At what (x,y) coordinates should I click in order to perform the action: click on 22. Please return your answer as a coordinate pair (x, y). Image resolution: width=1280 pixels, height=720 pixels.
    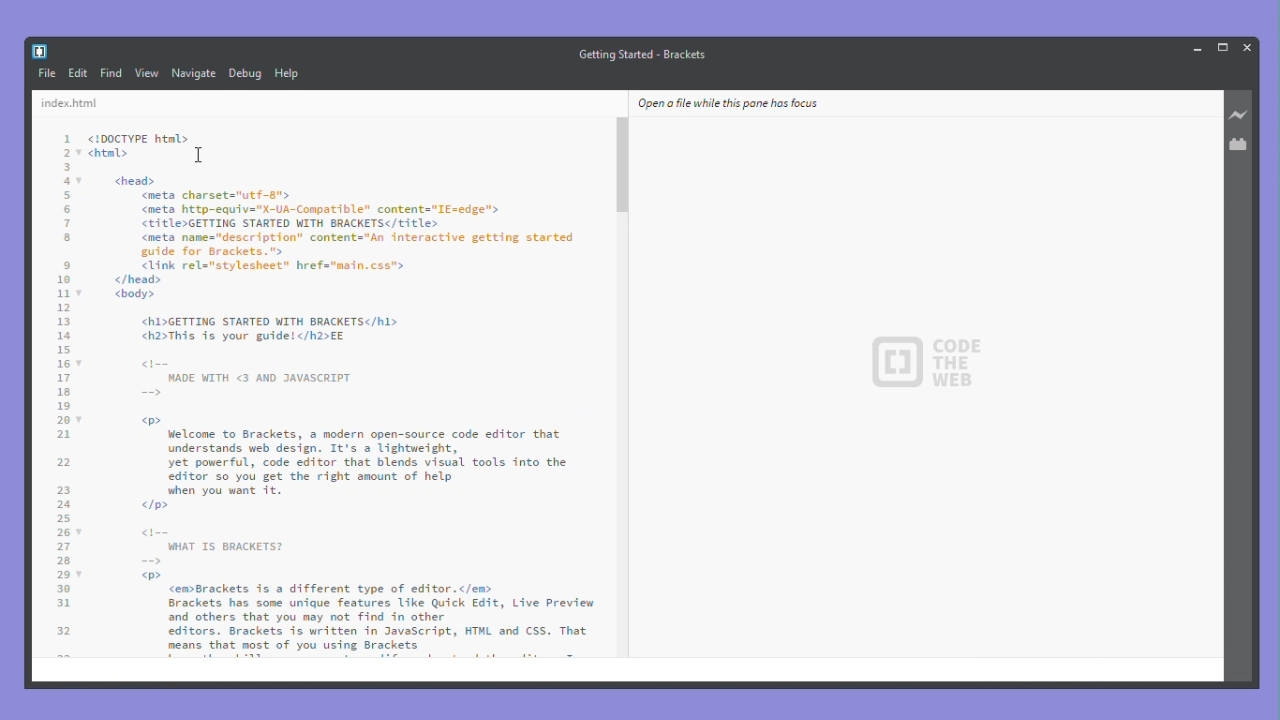
    Looking at the image, I should click on (63, 462).